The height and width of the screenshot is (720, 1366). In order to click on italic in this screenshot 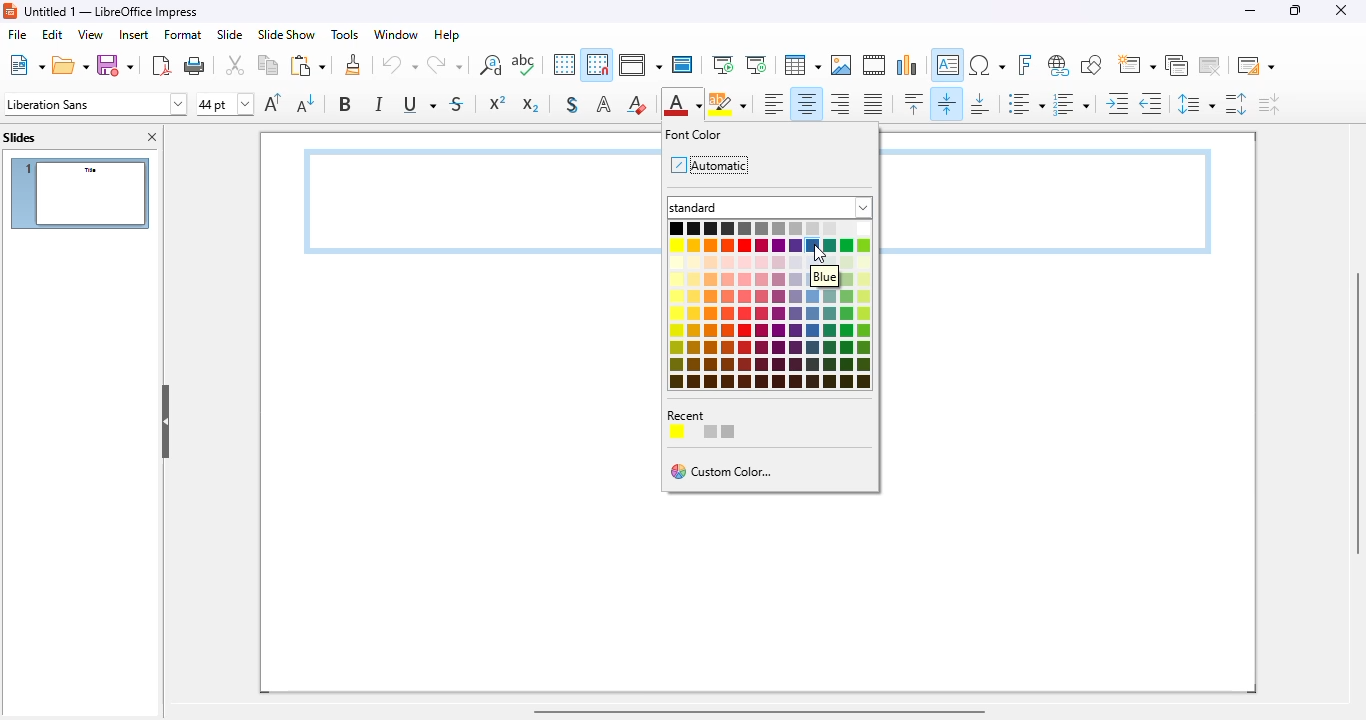, I will do `click(380, 104)`.